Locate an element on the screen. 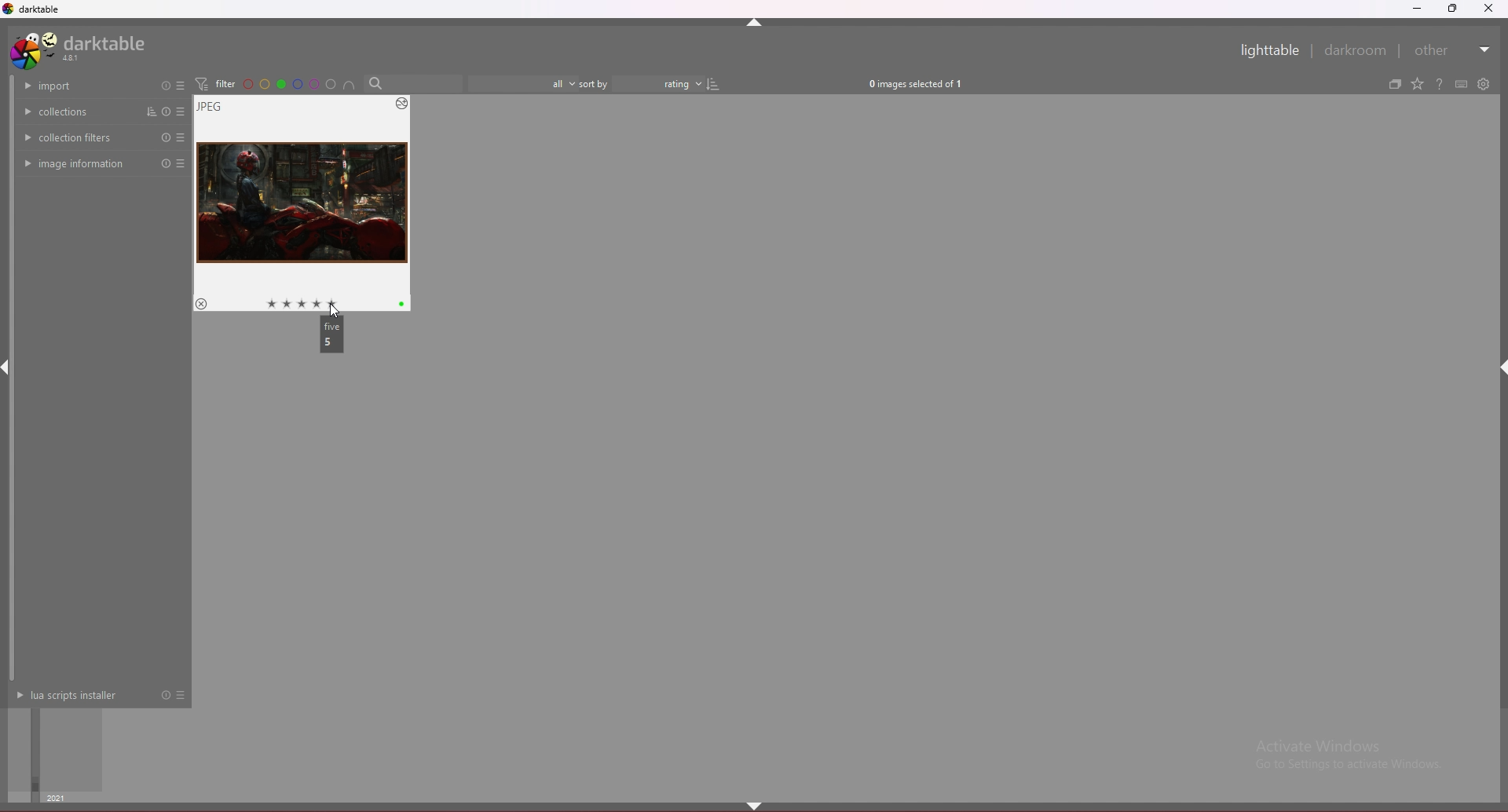 The image size is (1508, 812). create grouped images is located at coordinates (1391, 84).